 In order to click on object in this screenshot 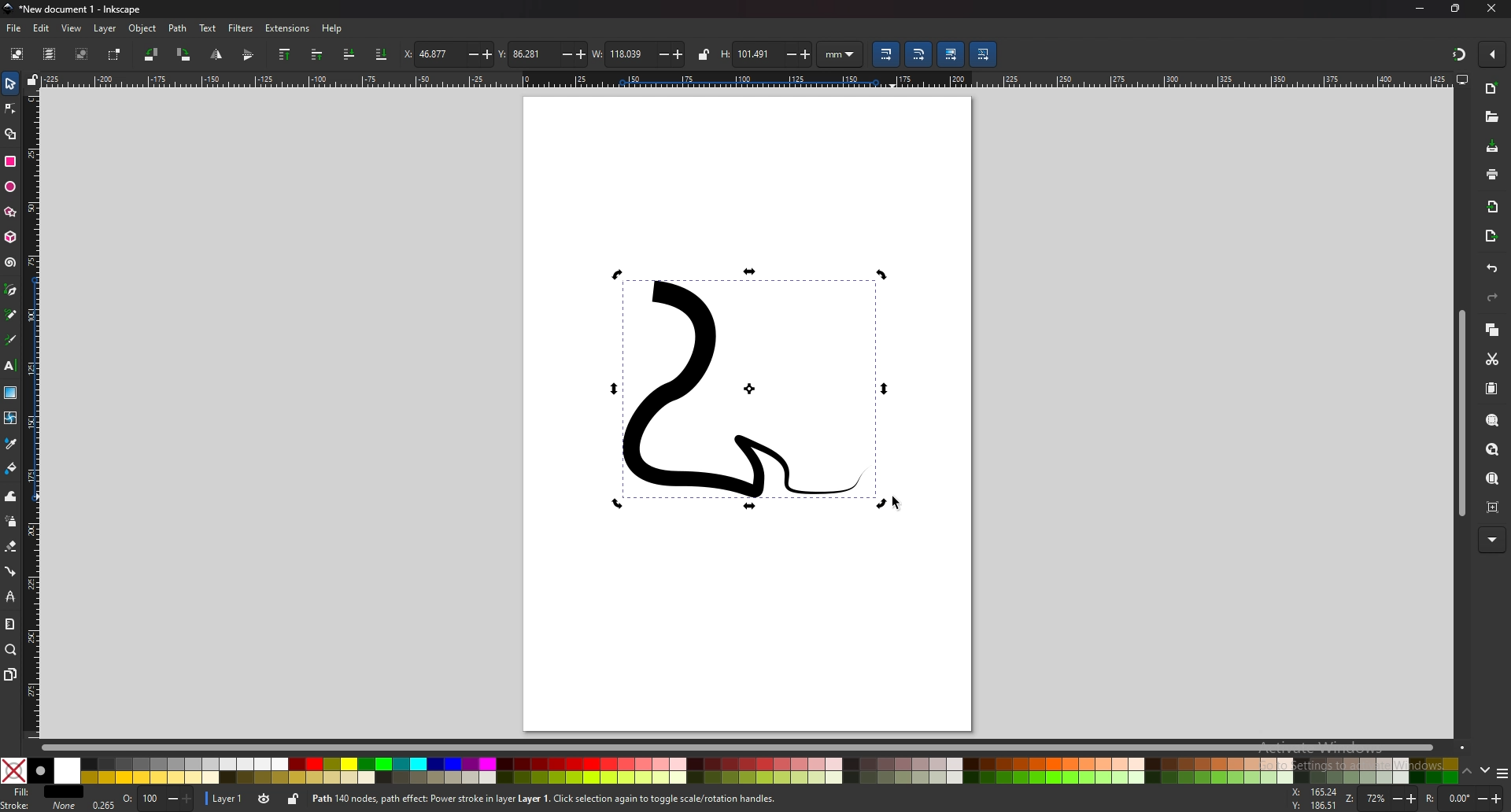, I will do `click(143, 28)`.